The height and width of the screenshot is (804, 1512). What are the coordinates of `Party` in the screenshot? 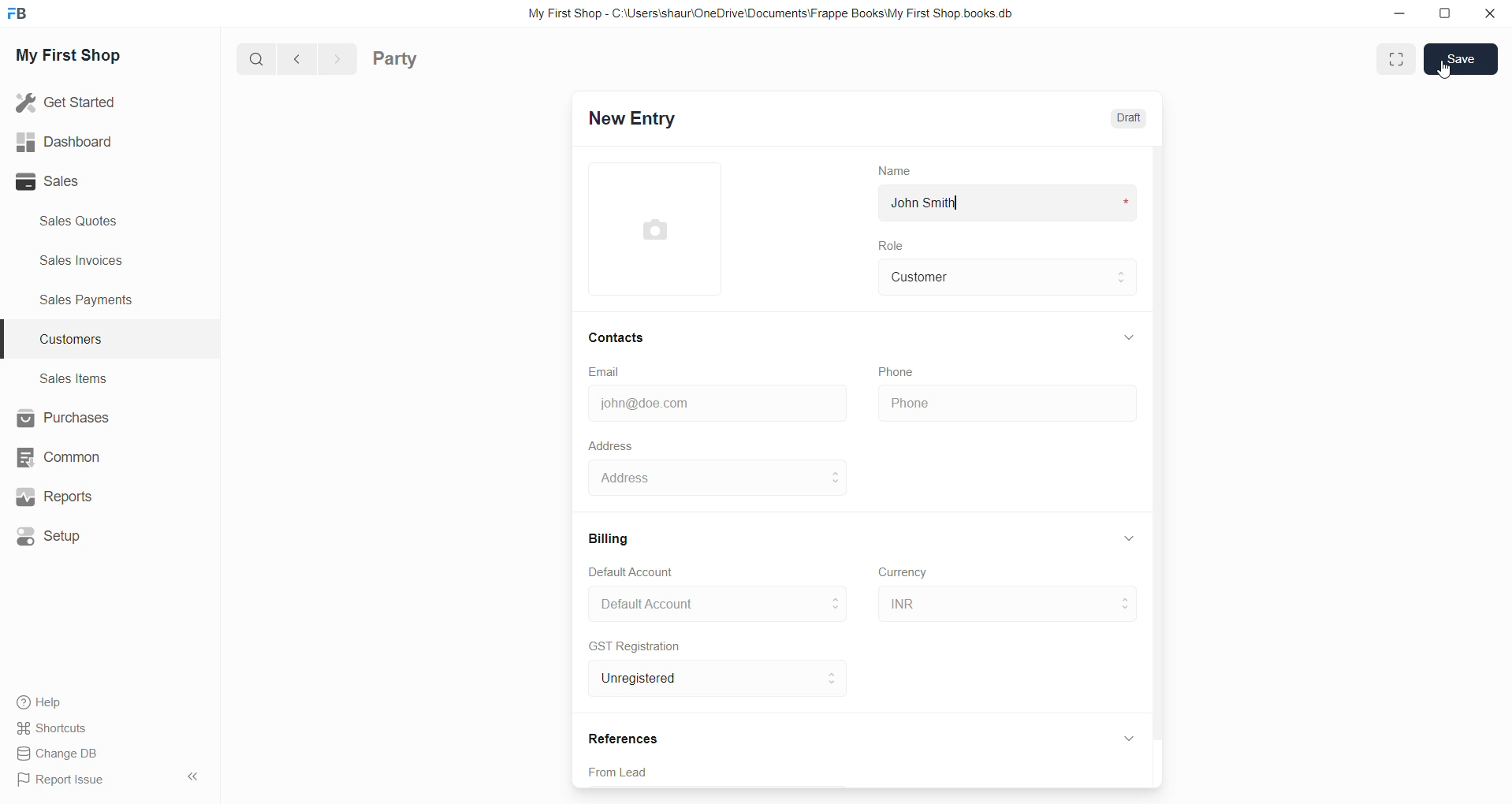 It's located at (400, 61).